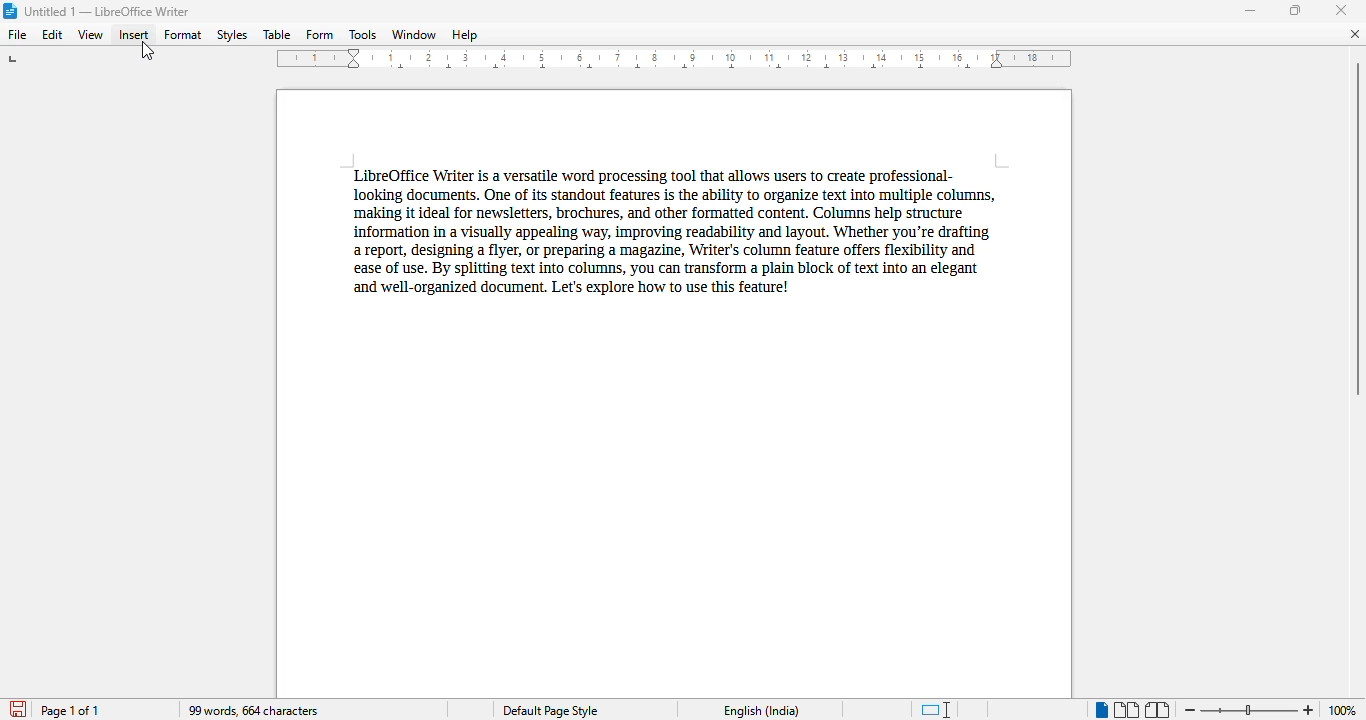 This screenshot has height=720, width=1366. I want to click on close, so click(1343, 10).